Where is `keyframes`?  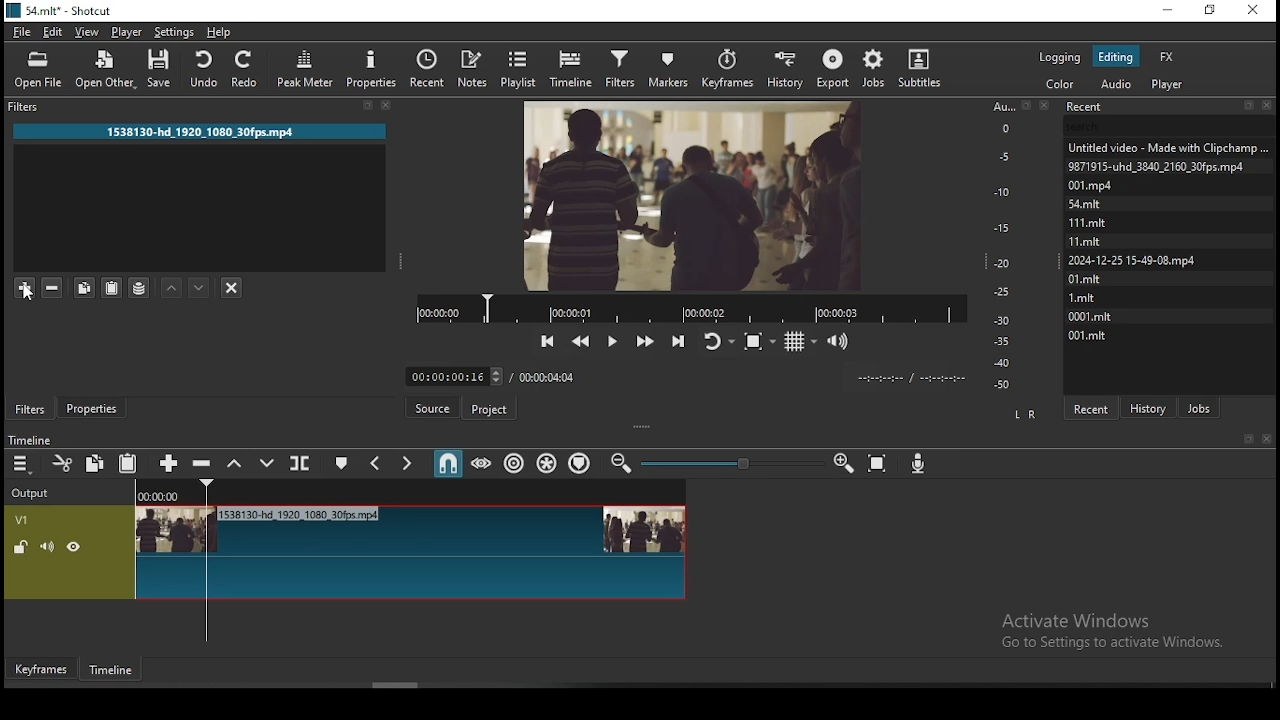 keyframes is located at coordinates (730, 69).